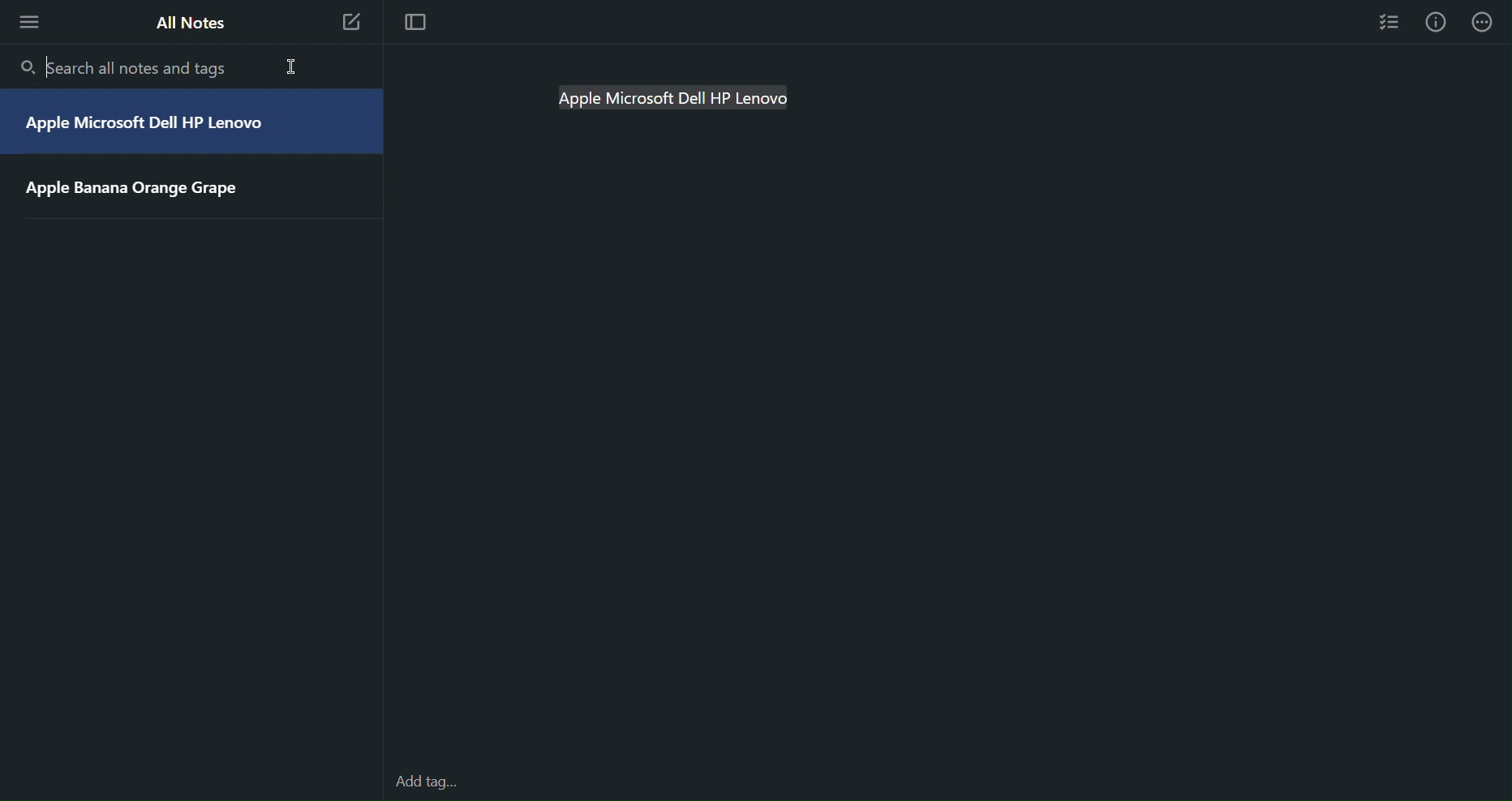  I want to click on Cursor, so click(47, 68).